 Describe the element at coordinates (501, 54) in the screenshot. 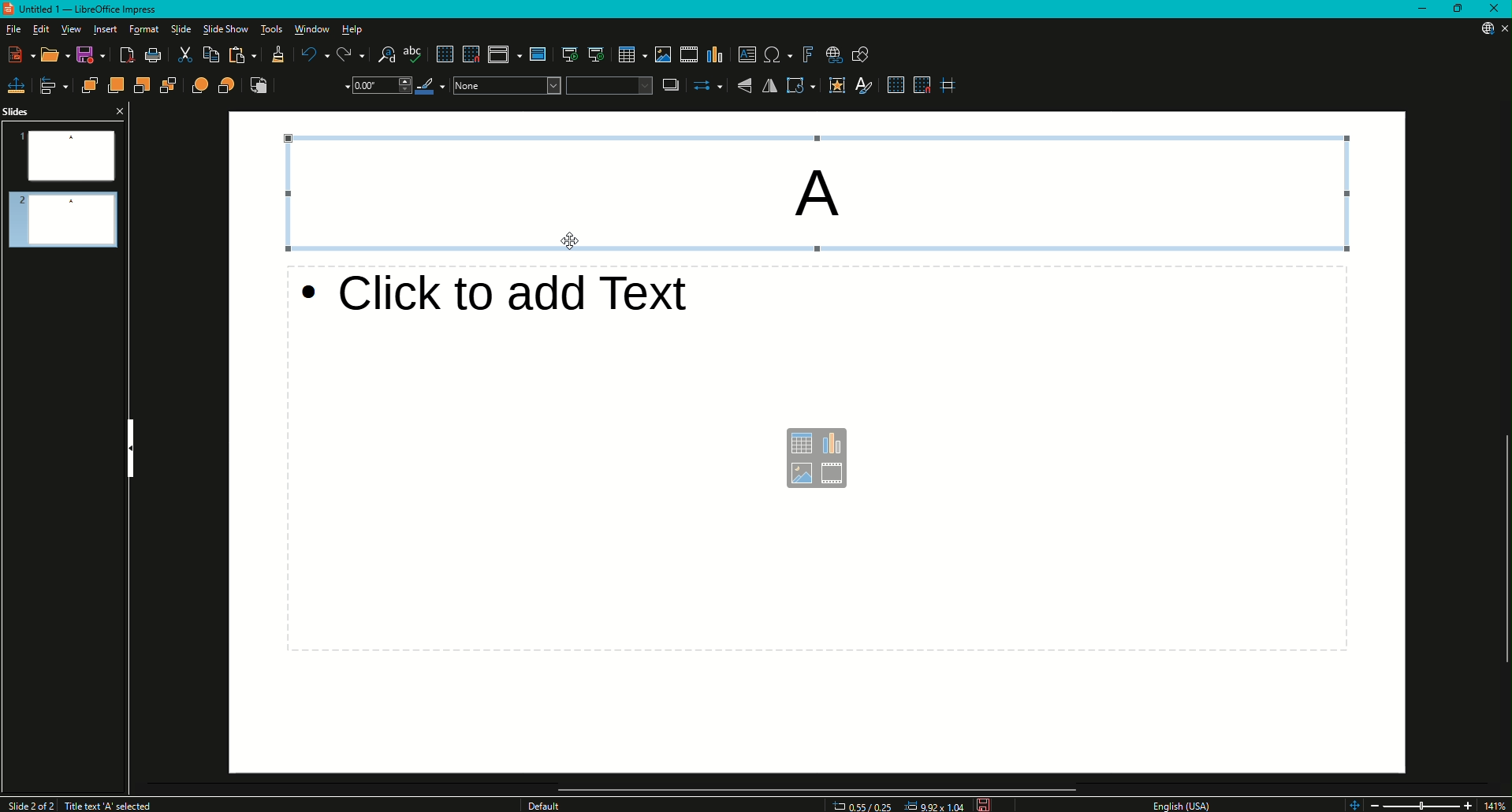

I see `Display views` at that location.